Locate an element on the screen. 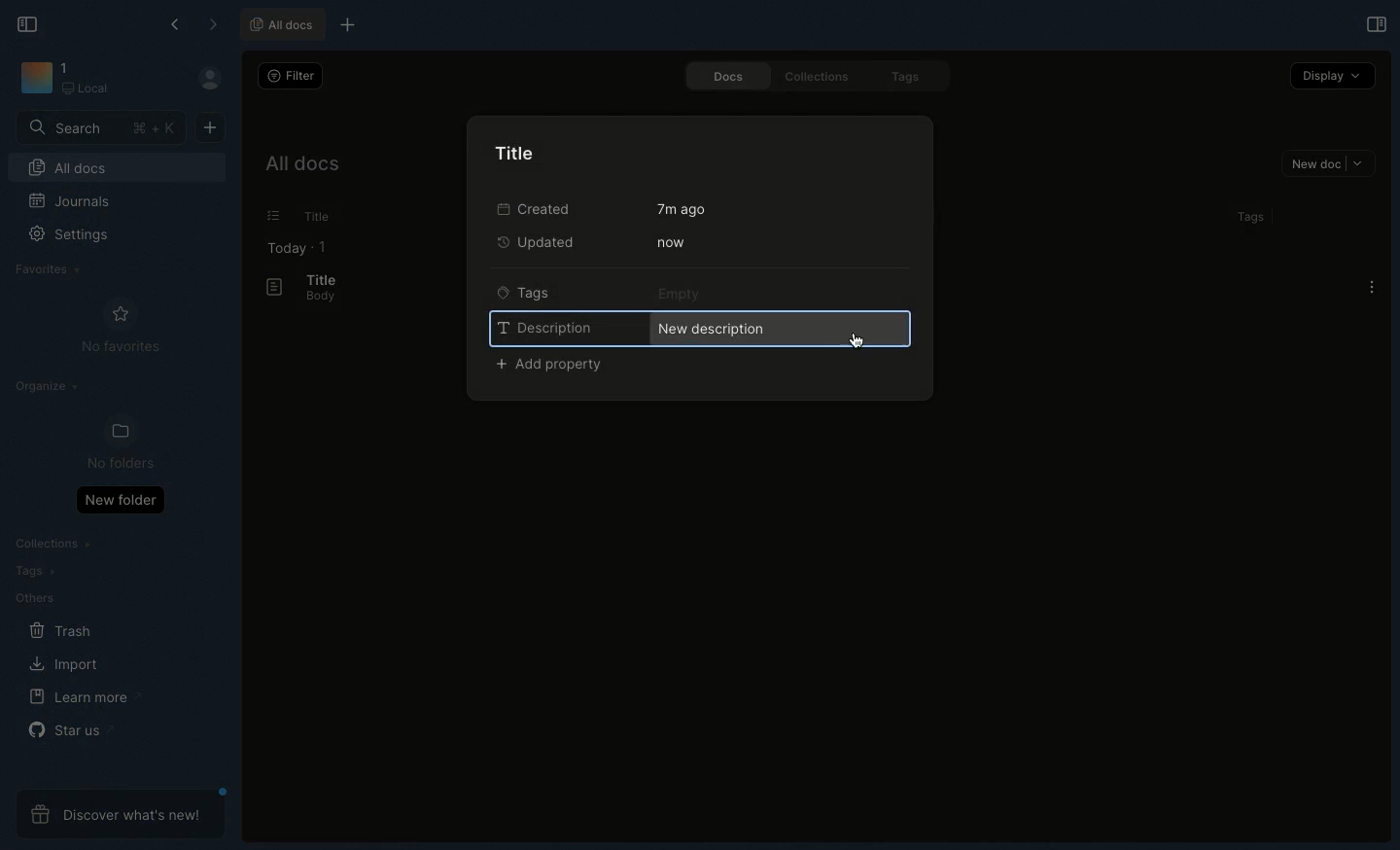  Back is located at coordinates (177, 24).